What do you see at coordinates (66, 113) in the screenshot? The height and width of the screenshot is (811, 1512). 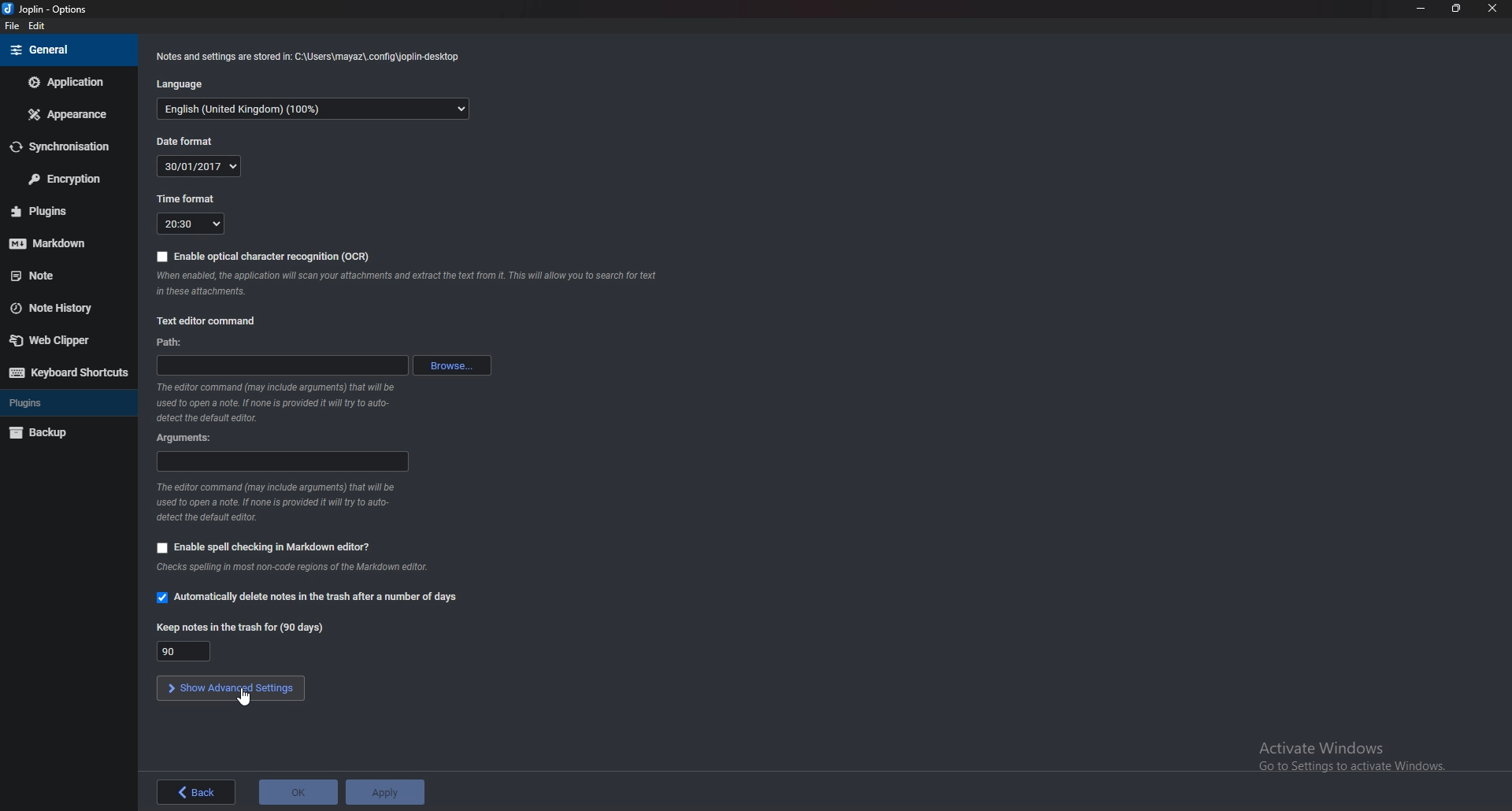 I see `Appearance` at bounding box center [66, 113].